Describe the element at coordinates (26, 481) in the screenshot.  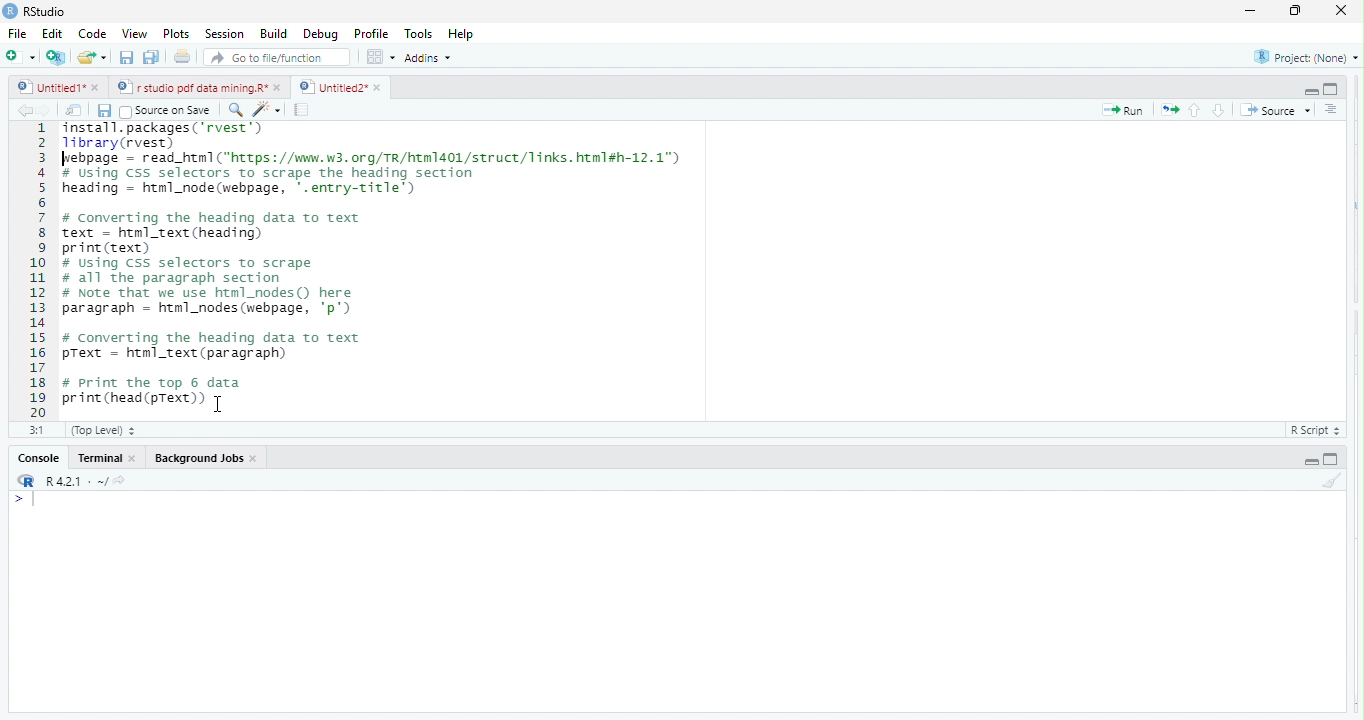
I see `rs studio logo` at that location.